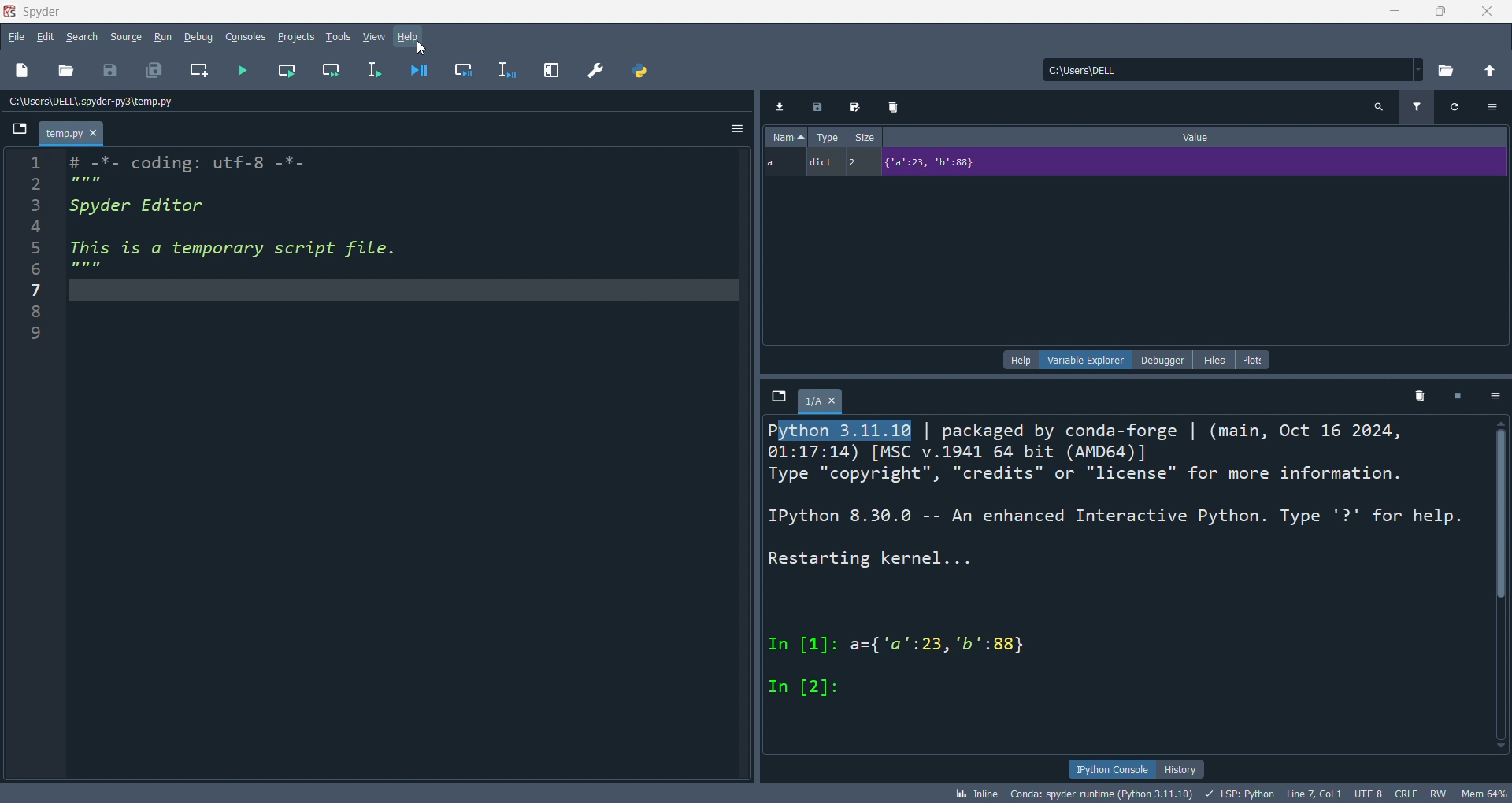  Describe the element at coordinates (1085, 359) in the screenshot. I see `variable explorer` at that location.